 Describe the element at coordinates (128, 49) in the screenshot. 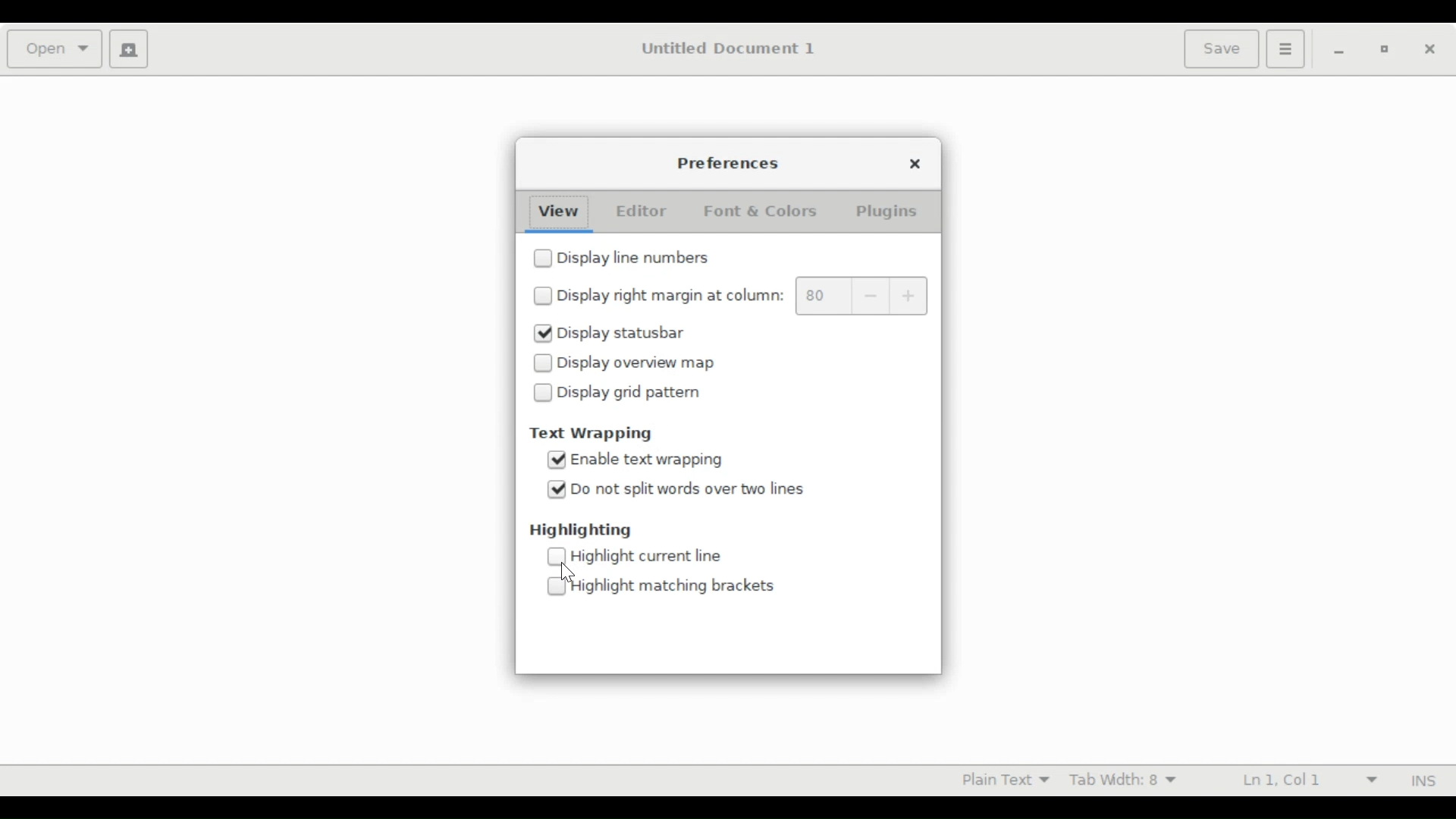

I see `Create a new document` at that location.